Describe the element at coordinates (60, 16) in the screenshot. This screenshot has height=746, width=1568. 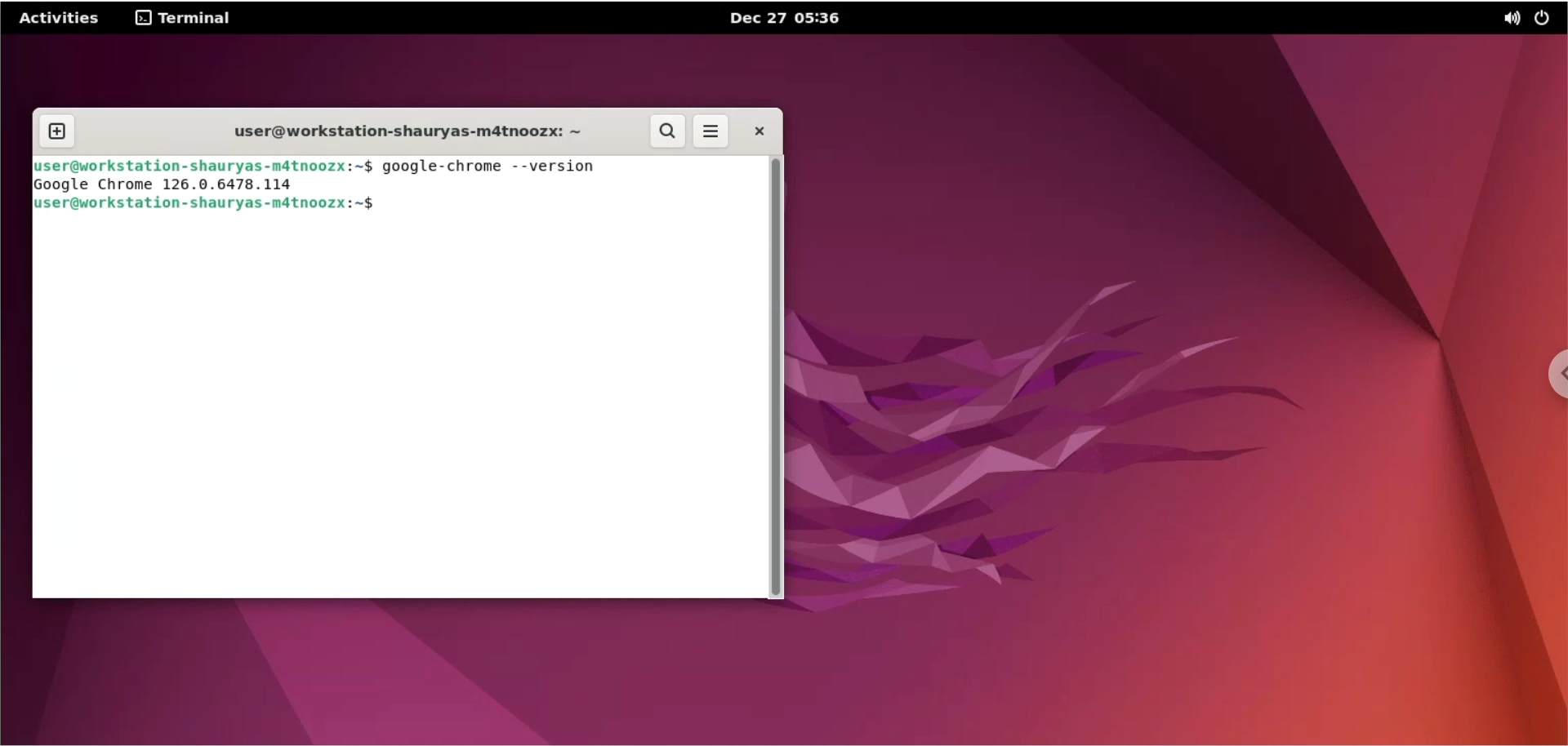
I see `Activities` at that location.